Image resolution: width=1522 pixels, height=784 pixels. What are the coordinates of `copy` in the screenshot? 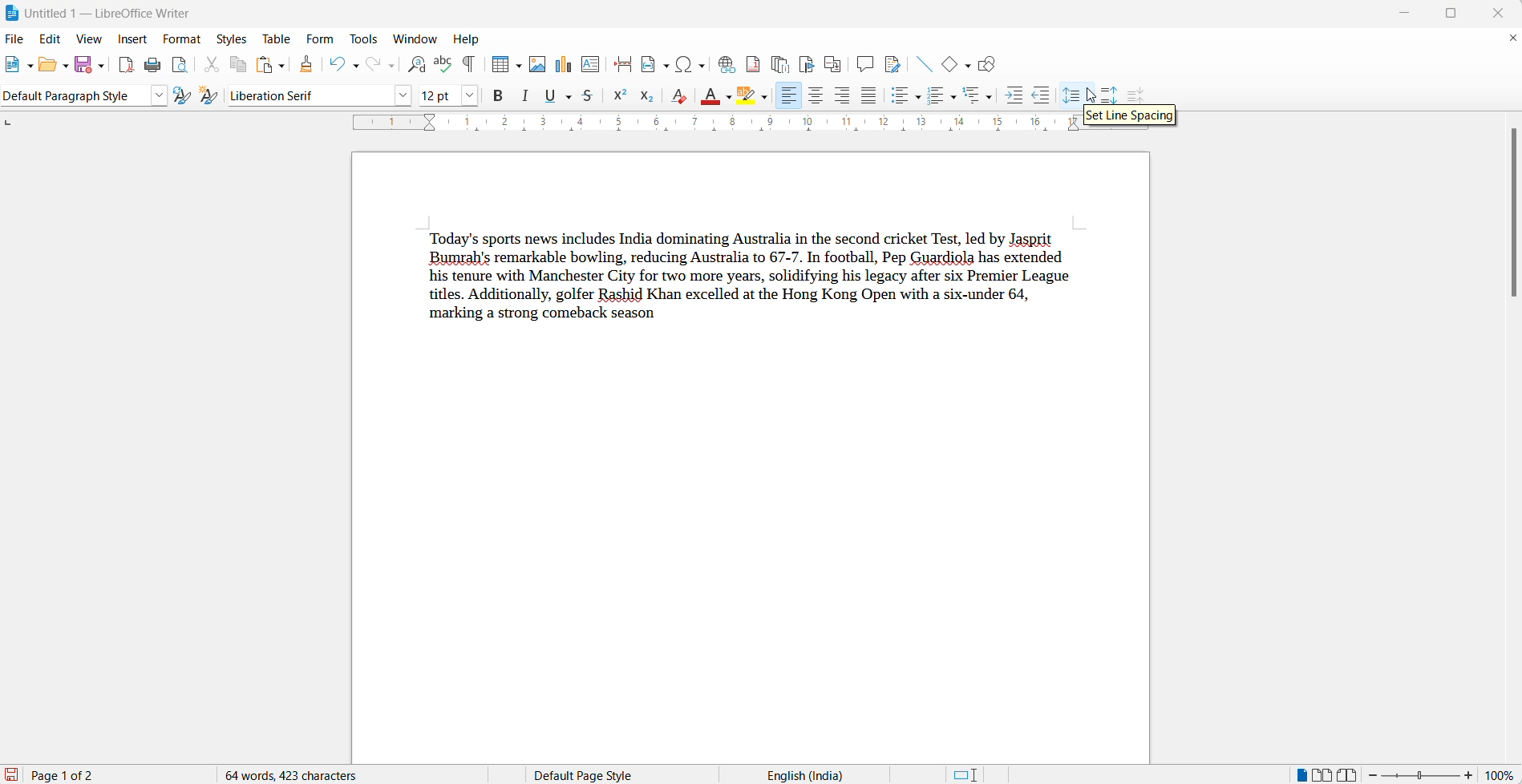 It's located at (239, 66).